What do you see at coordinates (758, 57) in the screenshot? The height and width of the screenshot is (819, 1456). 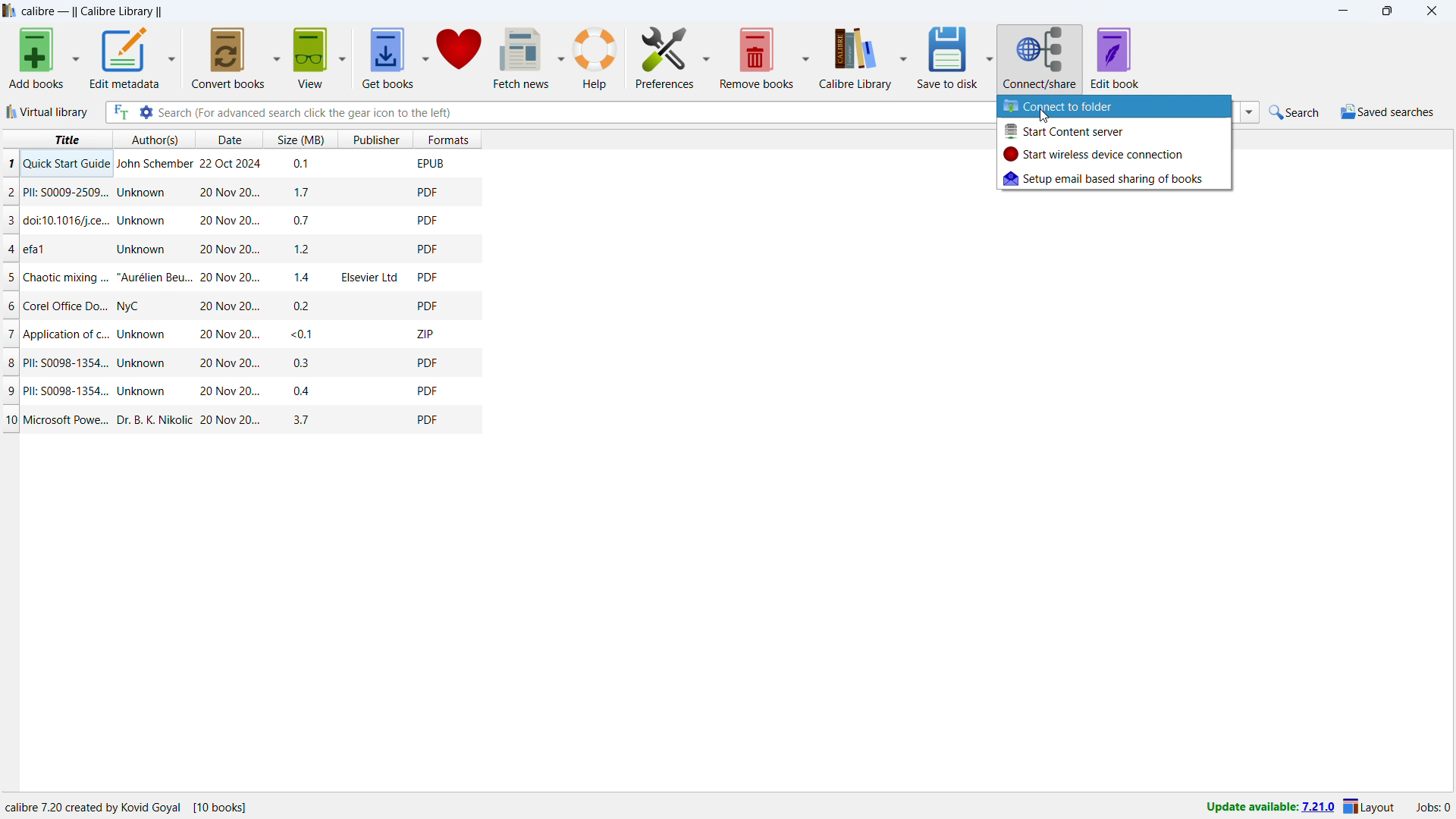 I see `remove books` at bounding box center [758, 57].